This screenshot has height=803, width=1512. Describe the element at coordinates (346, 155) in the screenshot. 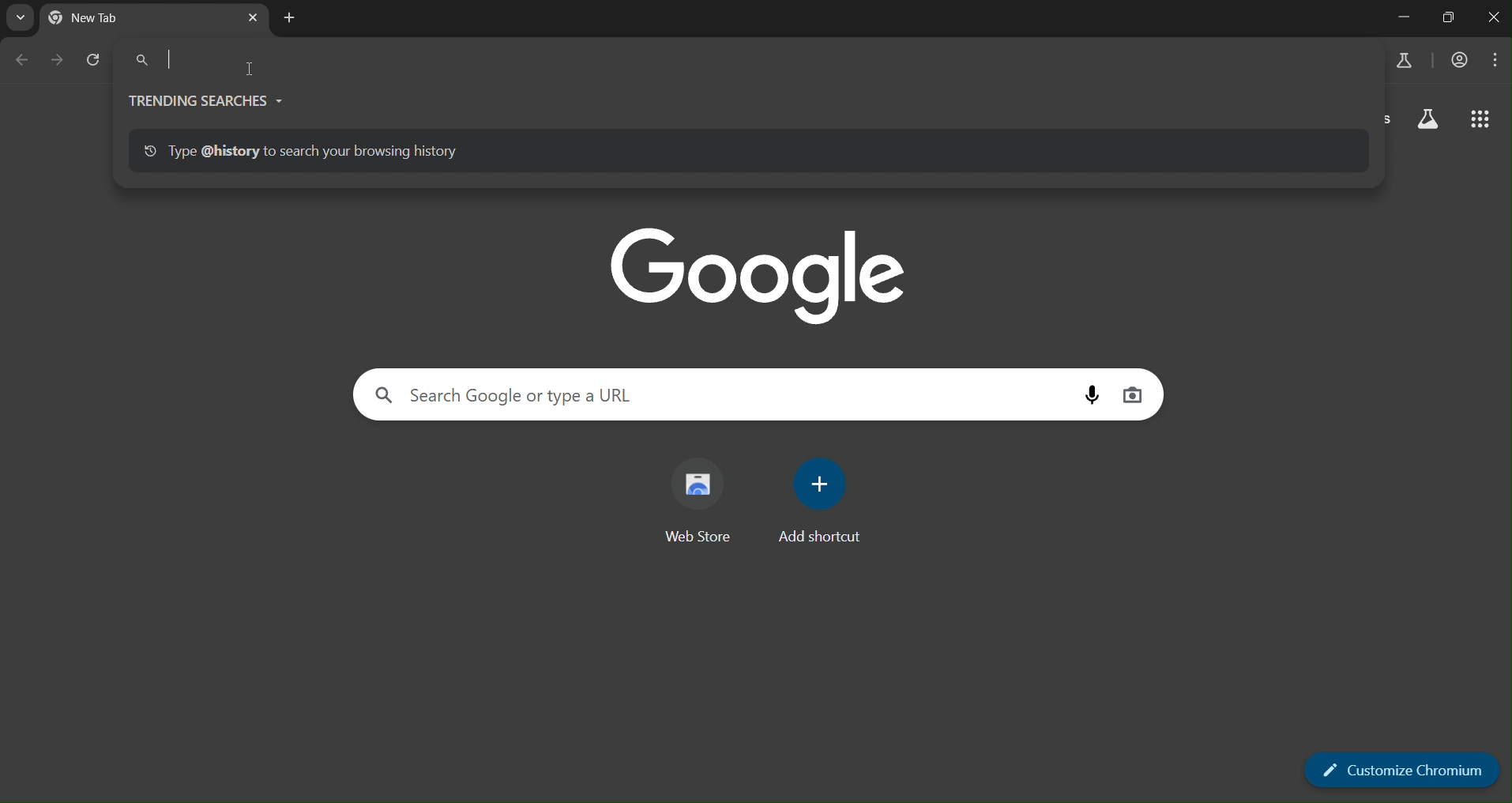

I see `type @history to search your browsing history` at that location.